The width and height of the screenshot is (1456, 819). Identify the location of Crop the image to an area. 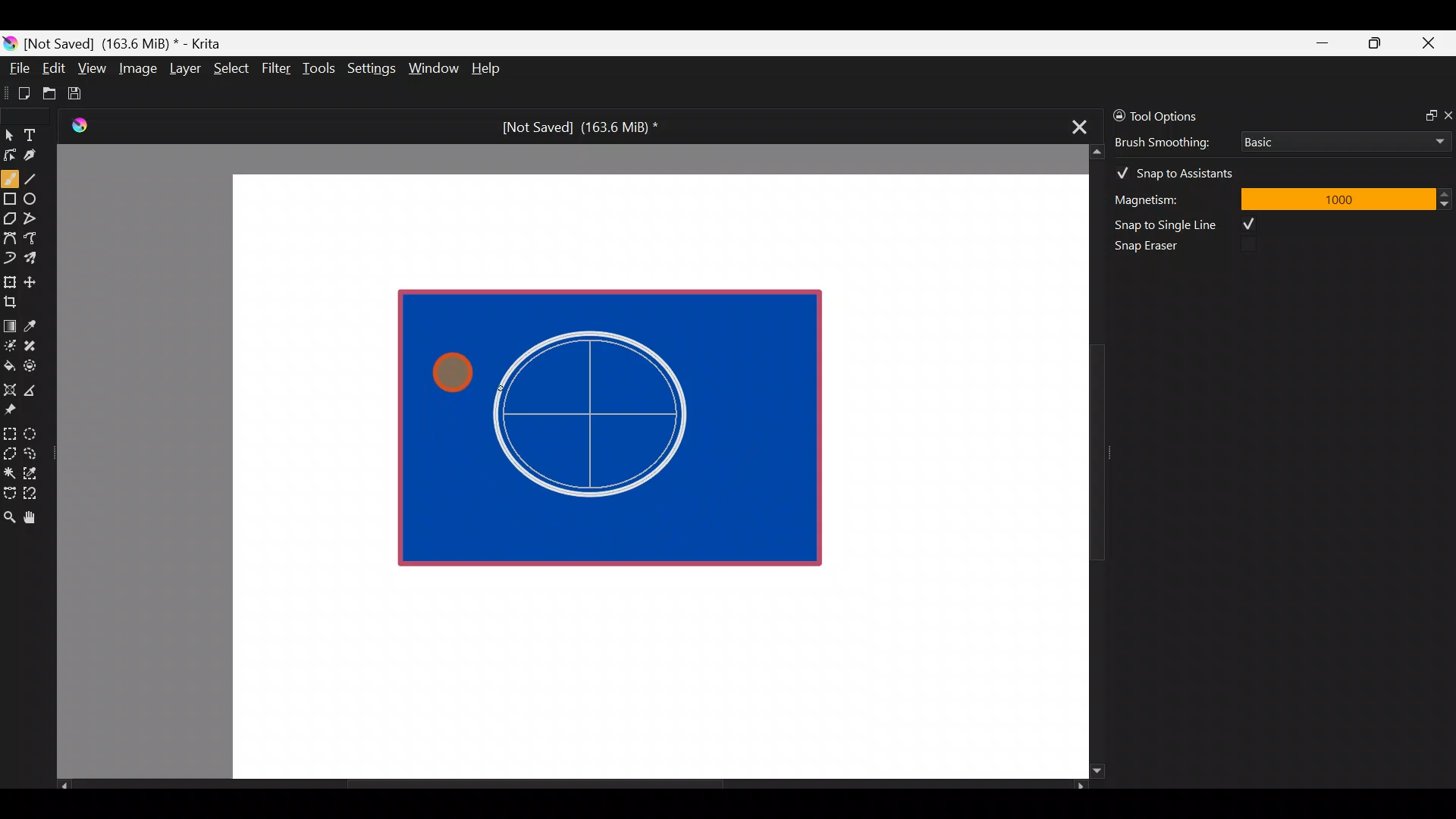
(15, 301).